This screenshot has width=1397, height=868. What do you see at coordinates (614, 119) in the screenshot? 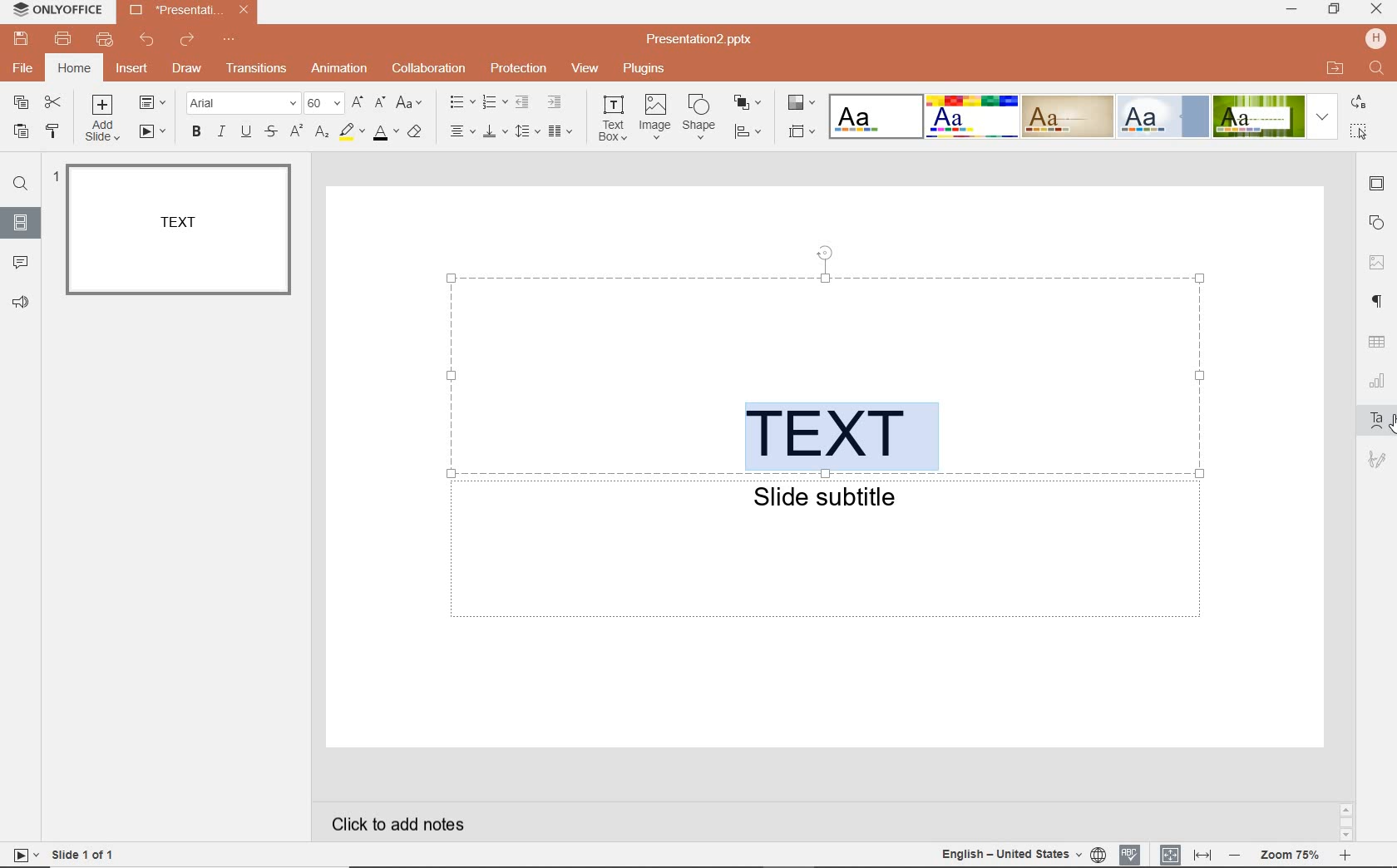
I see `text box` at bounding box center [614, 119].